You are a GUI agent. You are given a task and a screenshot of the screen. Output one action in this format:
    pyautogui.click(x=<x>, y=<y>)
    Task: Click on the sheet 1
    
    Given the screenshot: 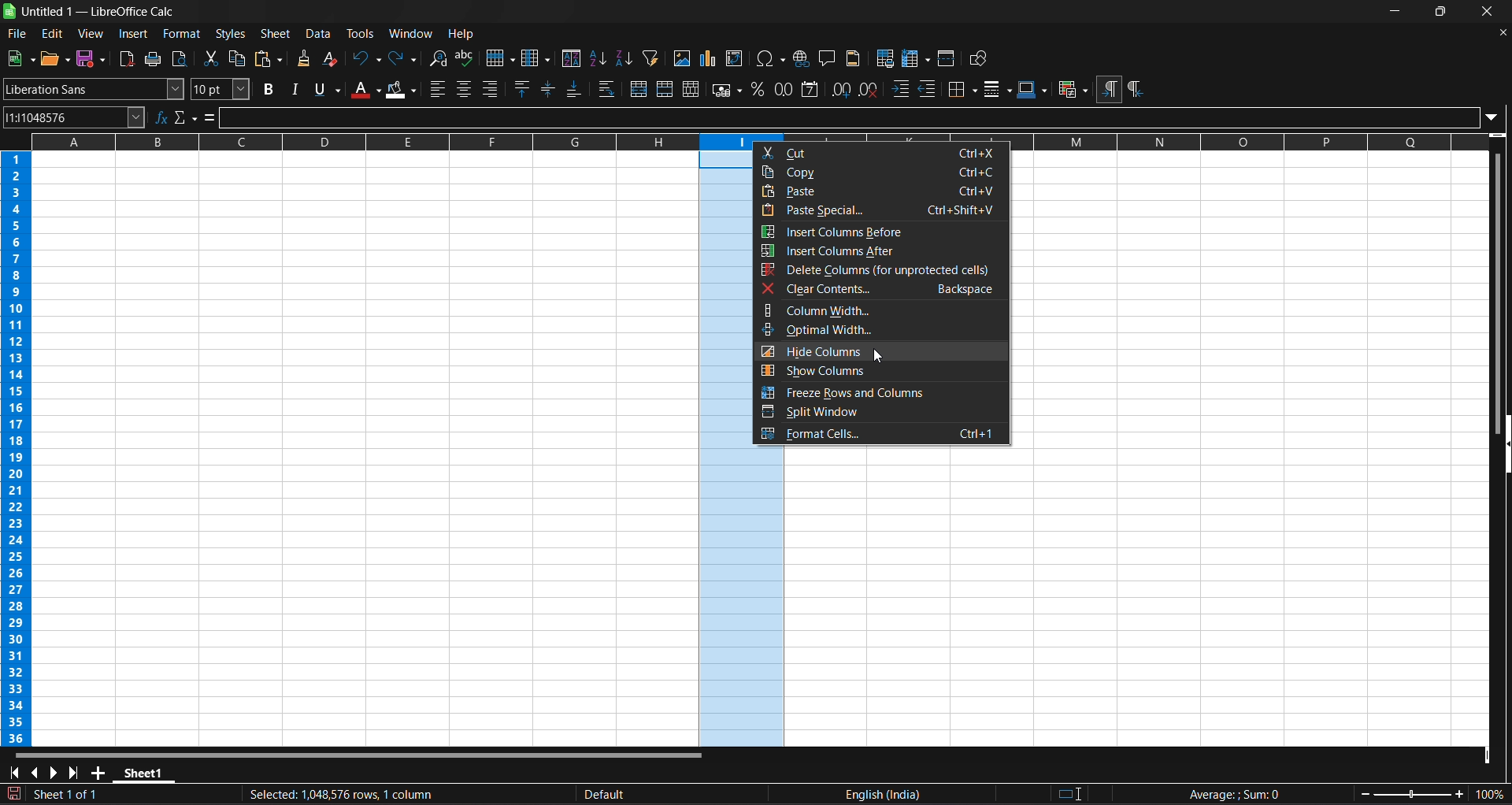 What is the action you would take?
    pyautogui.click(x=146, y=773)
    